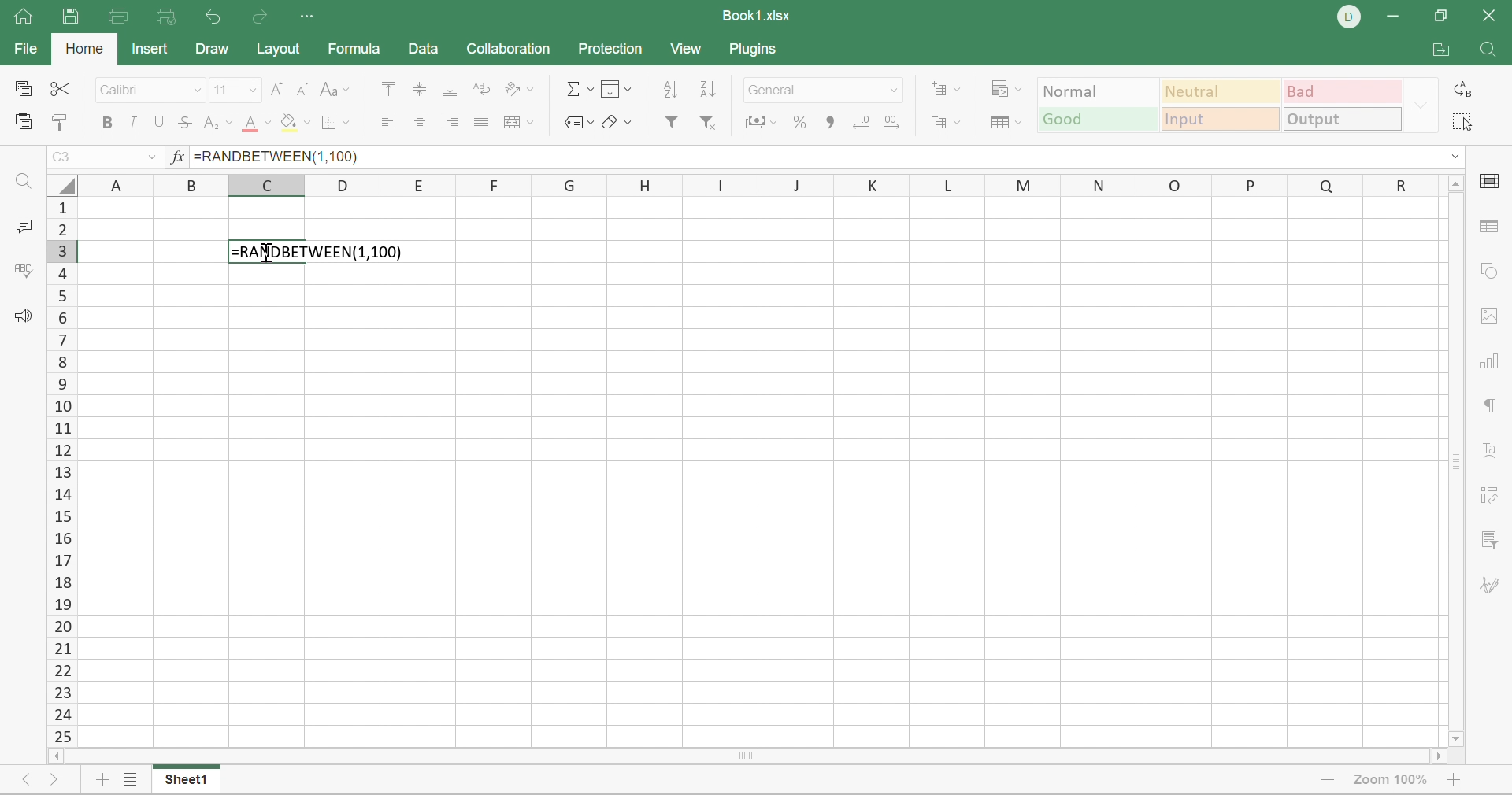 The width and height of the screenshot is (1512, 795). Describe the element at coordinates (481, 90) in the screenshot. I see `Wrap Text` at that location.